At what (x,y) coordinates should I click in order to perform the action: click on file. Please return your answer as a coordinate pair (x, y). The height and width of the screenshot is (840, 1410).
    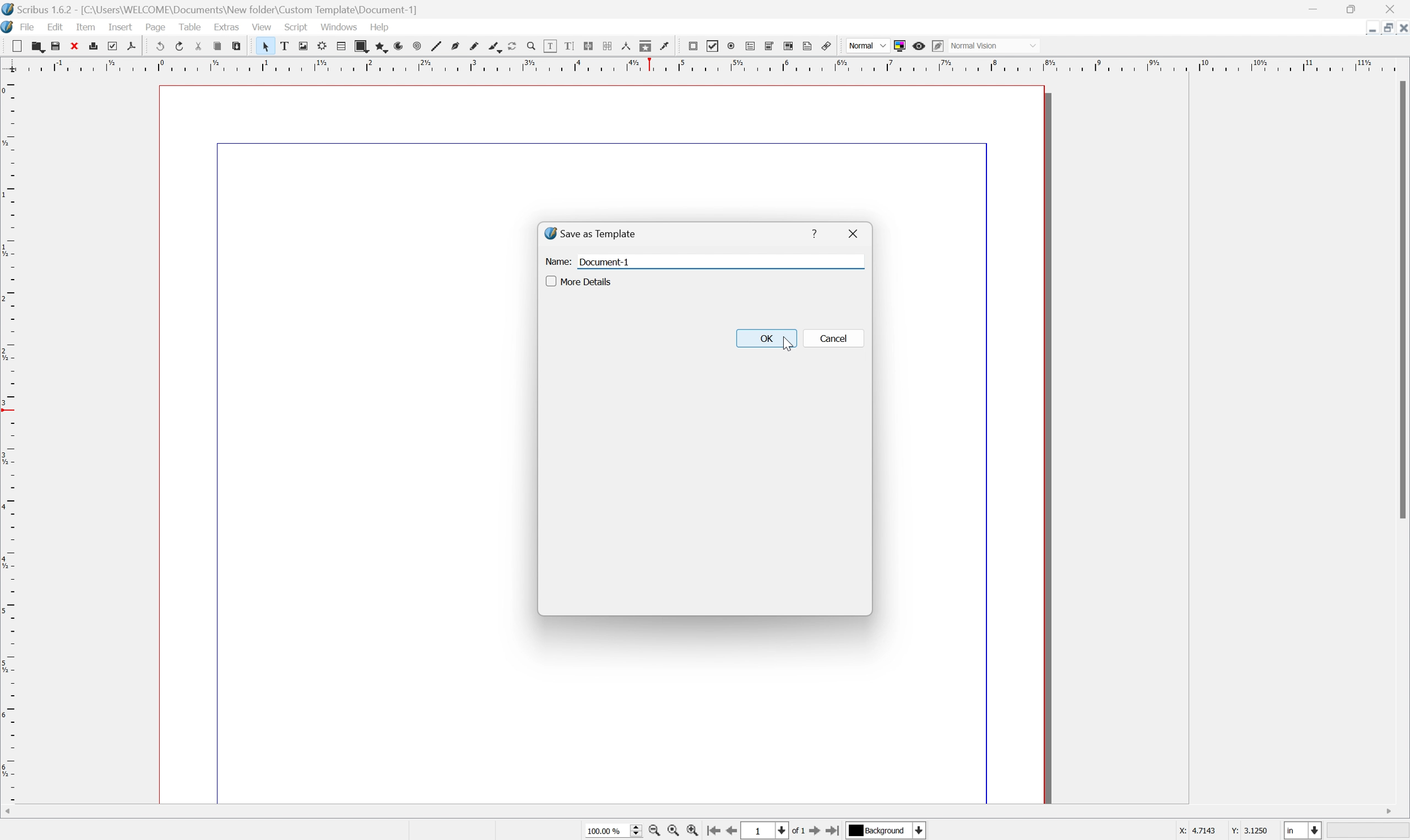
    Looking at the image, I should click on (29, 26).